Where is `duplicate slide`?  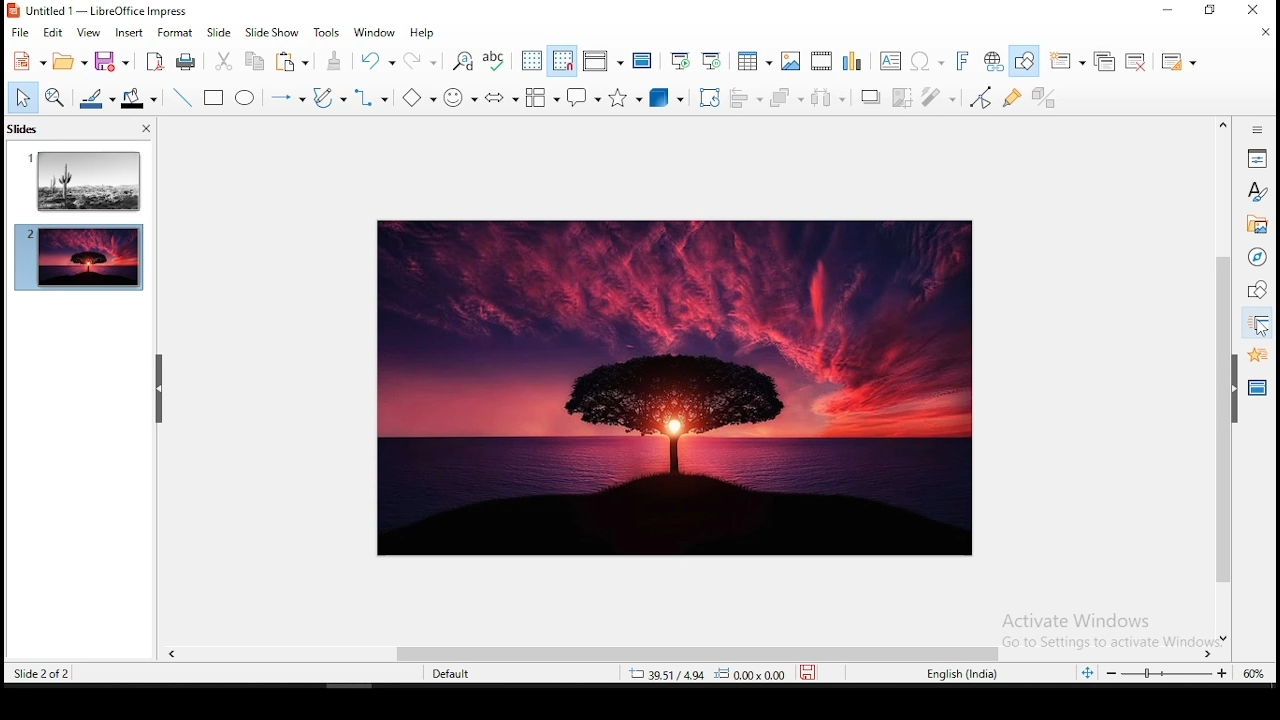
duplicate slide is located at coordinates (1104, 61).